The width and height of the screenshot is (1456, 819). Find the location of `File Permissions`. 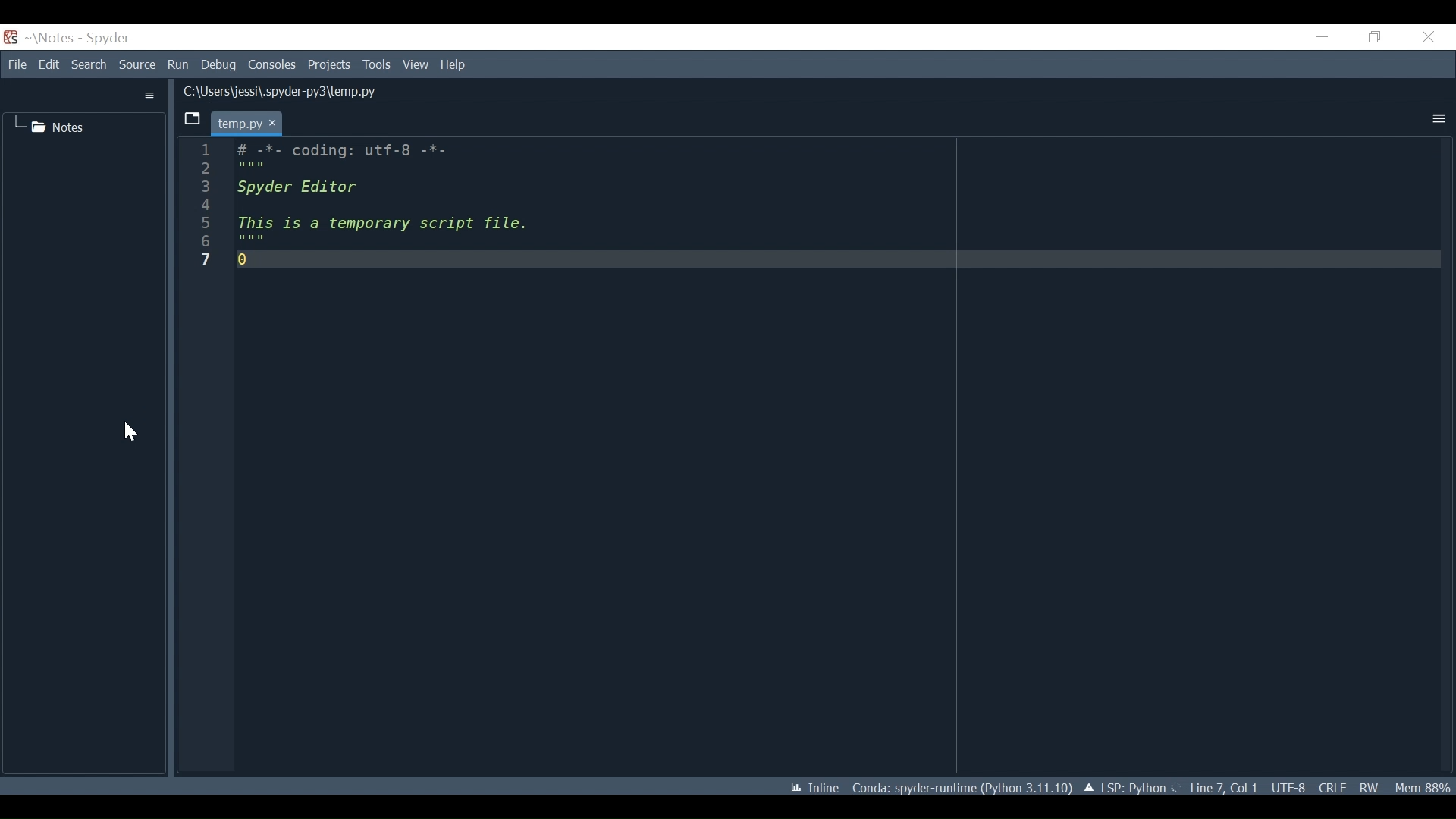

File Permissions is located at coordinates (1370, 786).